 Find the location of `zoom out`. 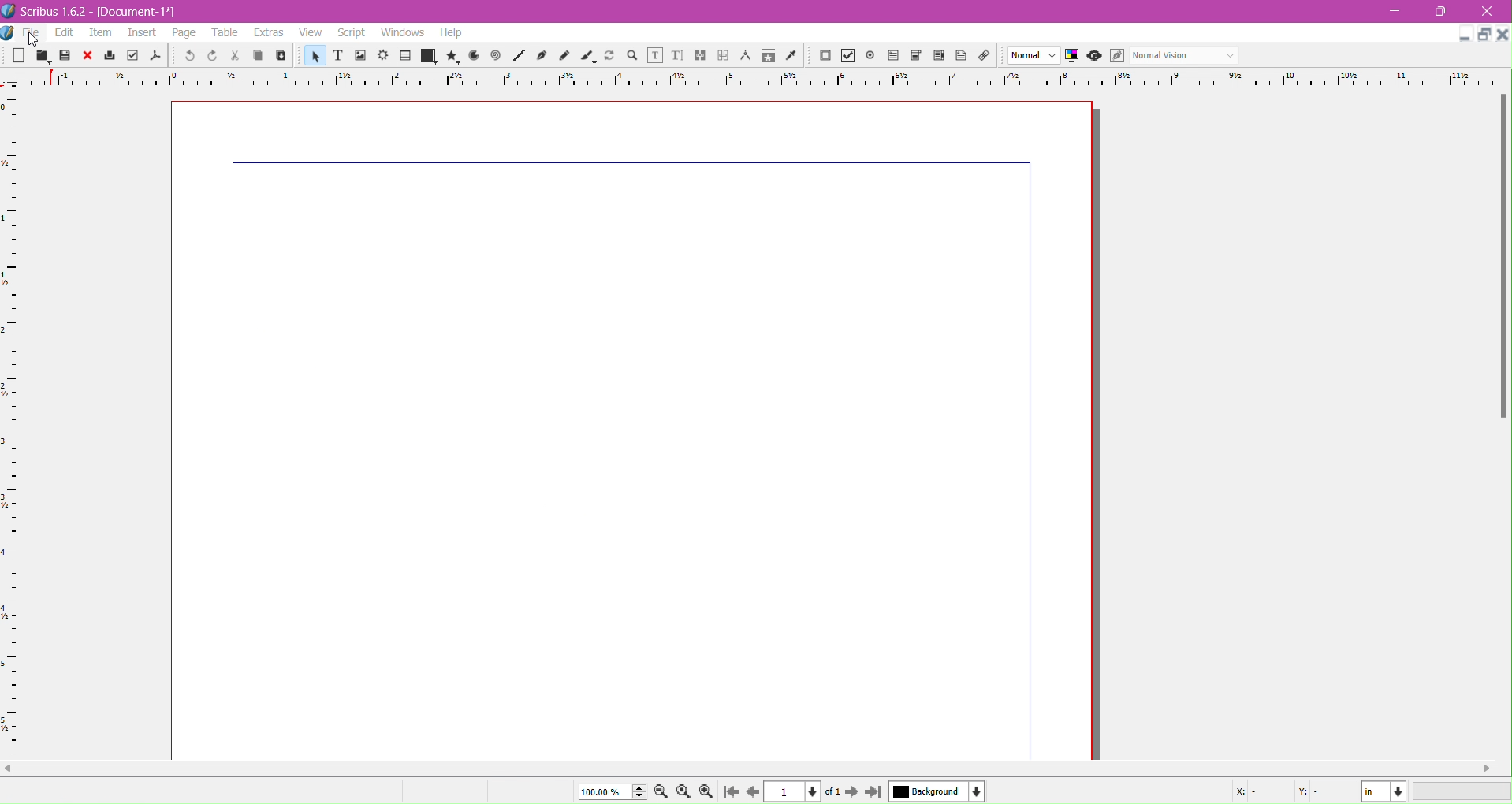

zoom out is located at coordinates (662, 793).